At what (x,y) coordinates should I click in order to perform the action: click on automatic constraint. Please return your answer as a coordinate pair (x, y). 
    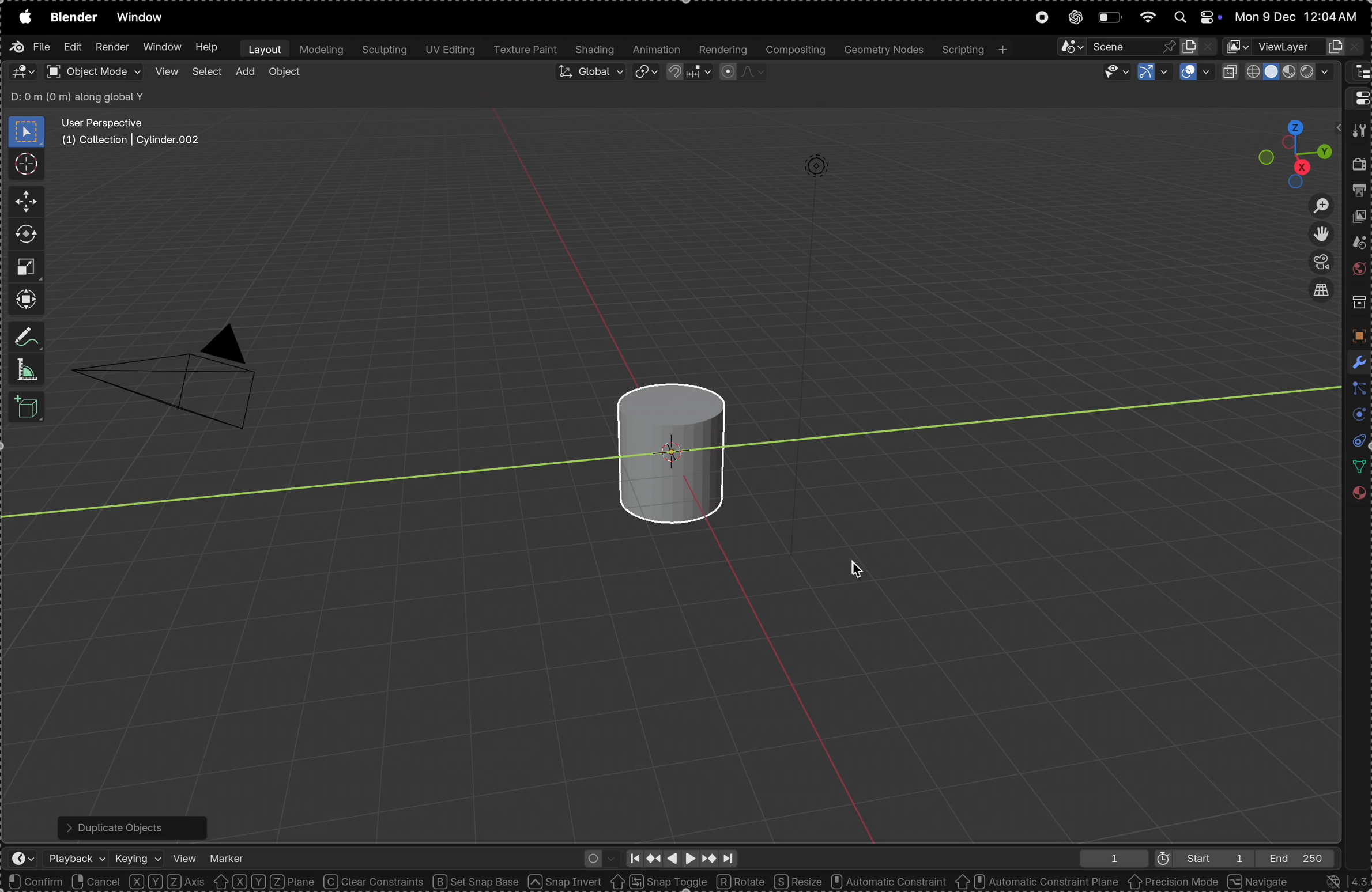
    Looking at the image, I should click on (887, 882).